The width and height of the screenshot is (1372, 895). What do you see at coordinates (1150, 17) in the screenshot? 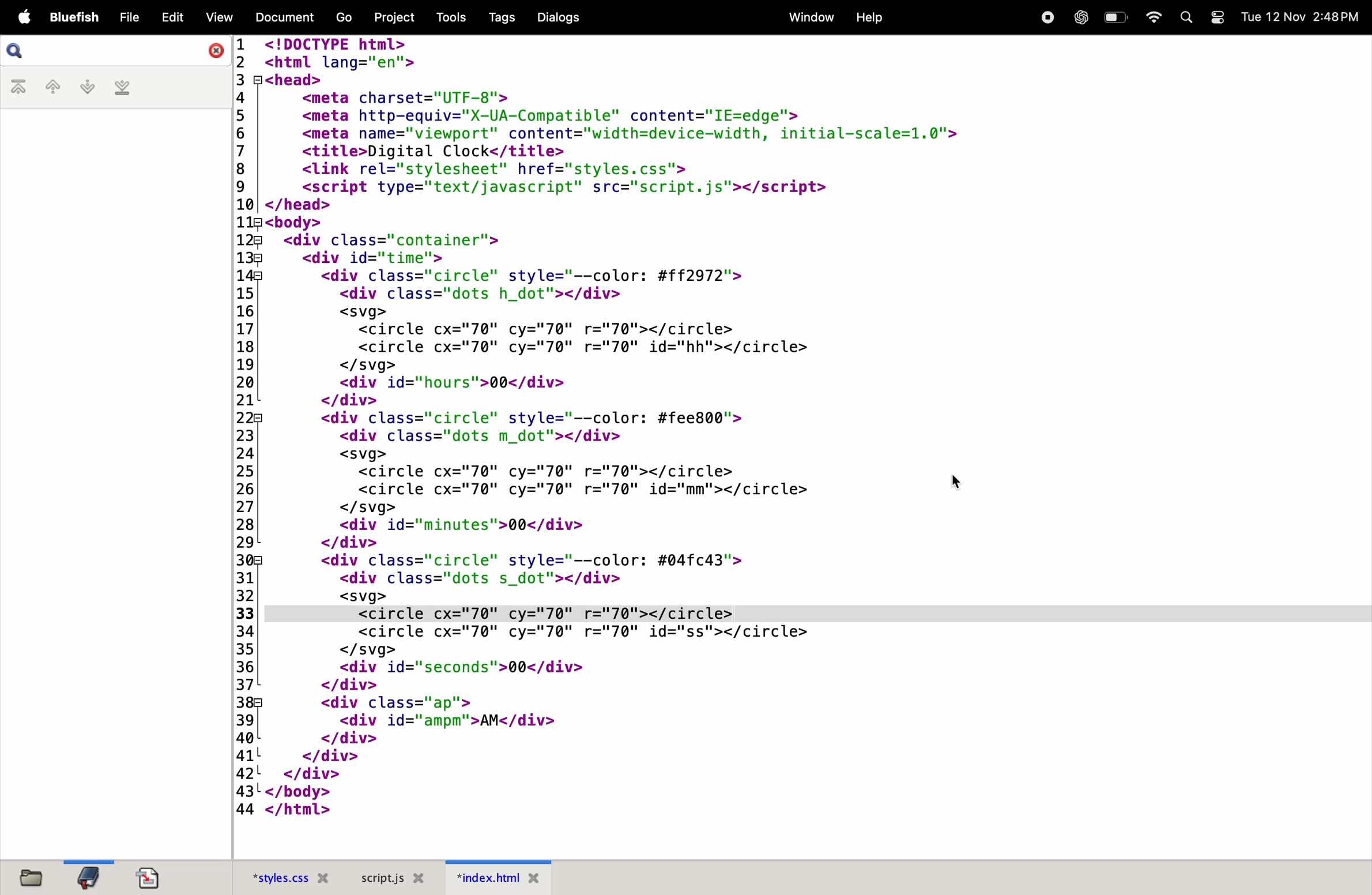
I see `wifi` at bounding box center [1150, 17].